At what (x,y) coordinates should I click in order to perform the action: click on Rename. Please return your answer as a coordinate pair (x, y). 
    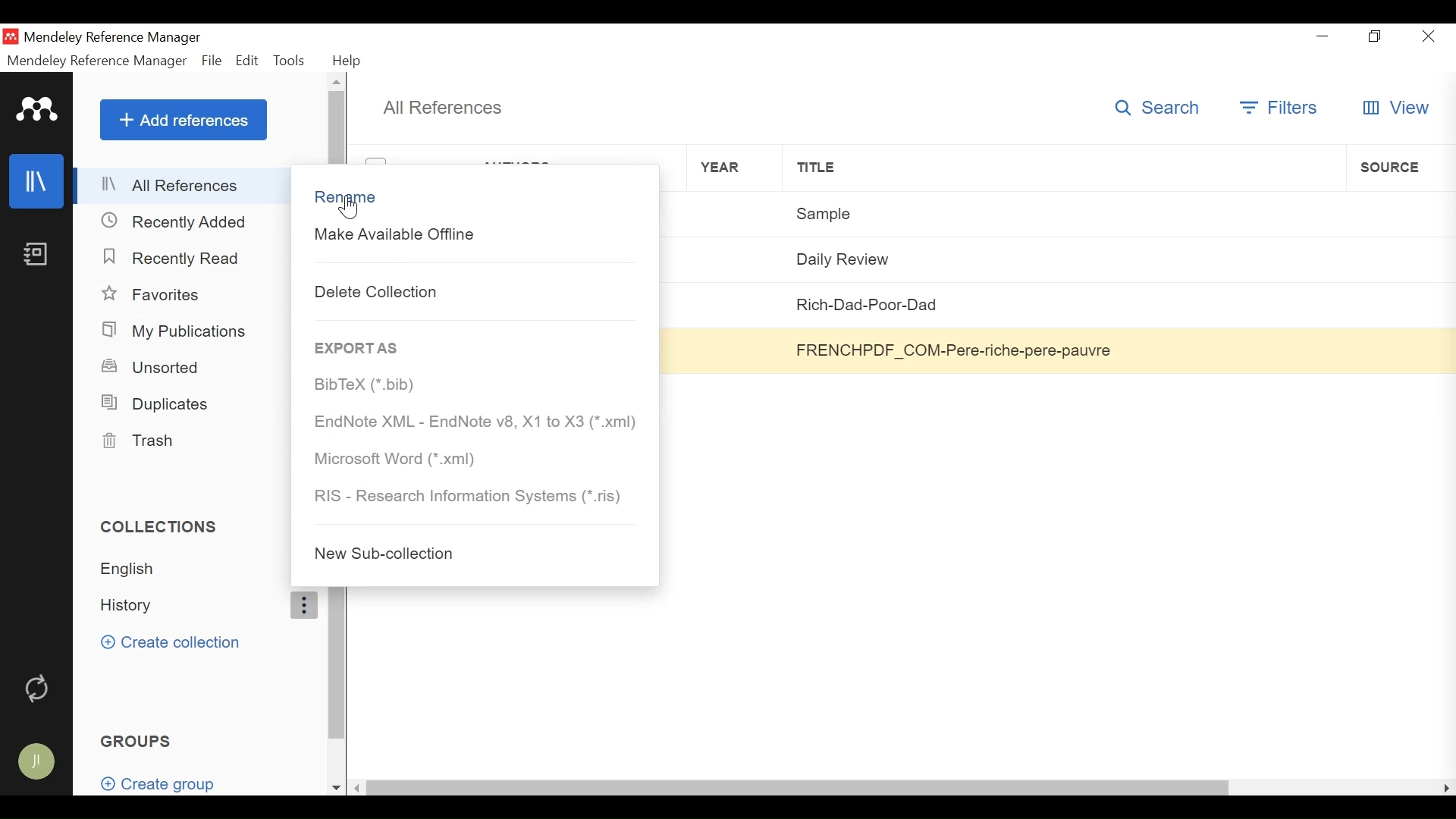
    Looking at the image, I should click on (472, 196).